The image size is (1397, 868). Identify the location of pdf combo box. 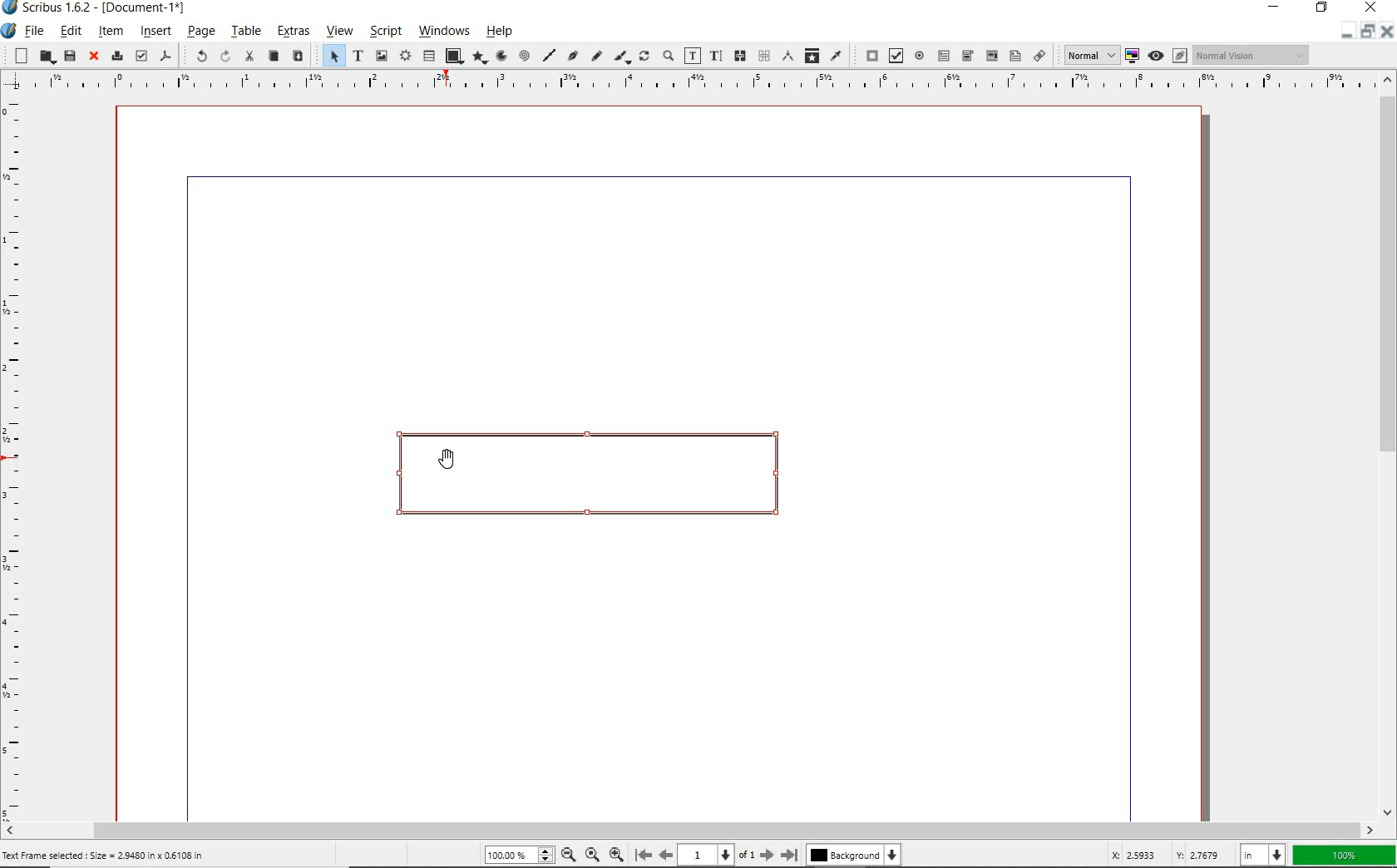
(967, 56).